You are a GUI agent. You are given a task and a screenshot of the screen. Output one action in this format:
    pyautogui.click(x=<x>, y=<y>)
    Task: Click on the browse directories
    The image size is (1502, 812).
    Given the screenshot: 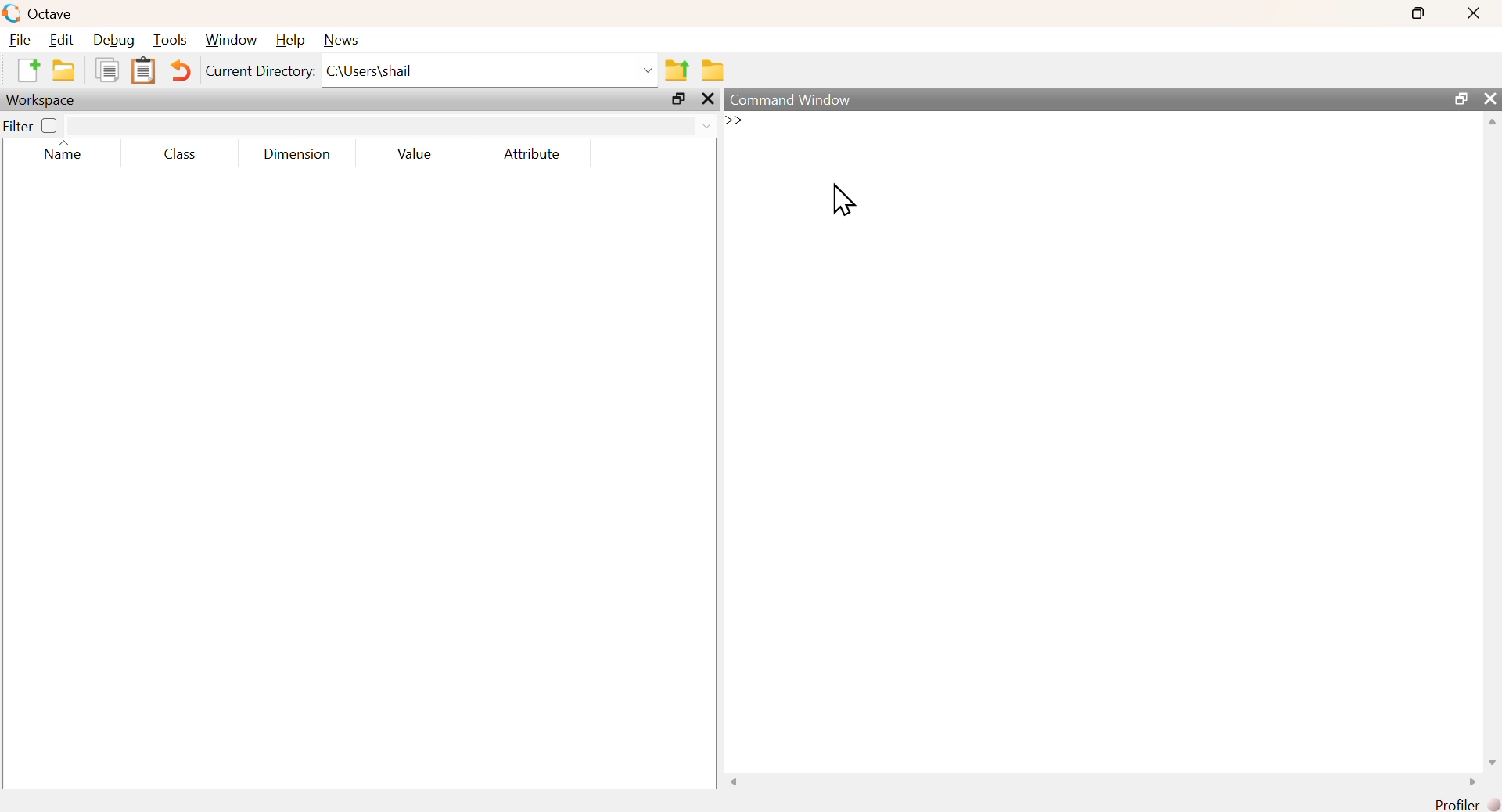 What is the action you would take?
    pyautogui.click(x=714, y=70)
    